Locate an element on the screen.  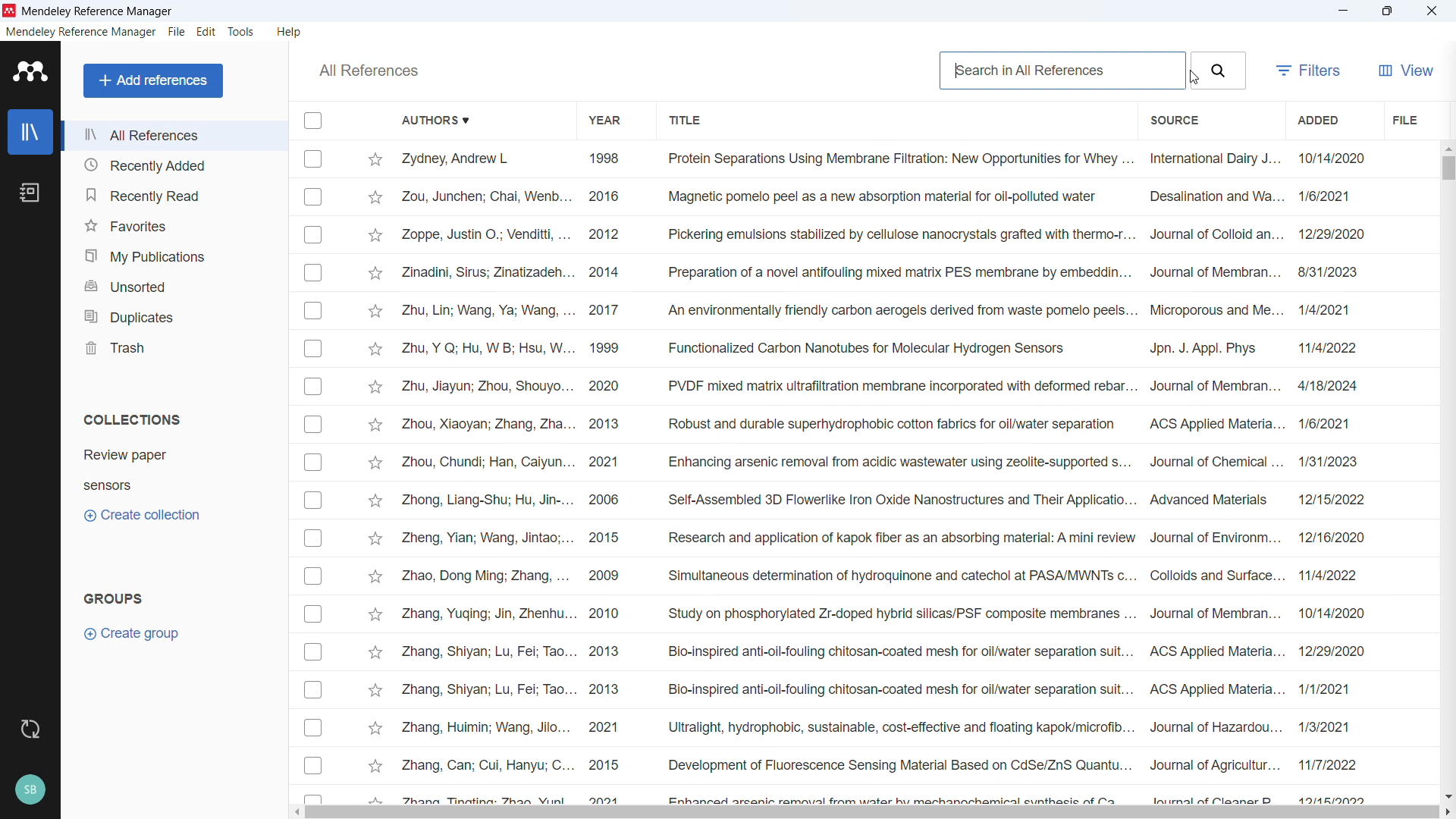
help is located at coordinates (290, 31).